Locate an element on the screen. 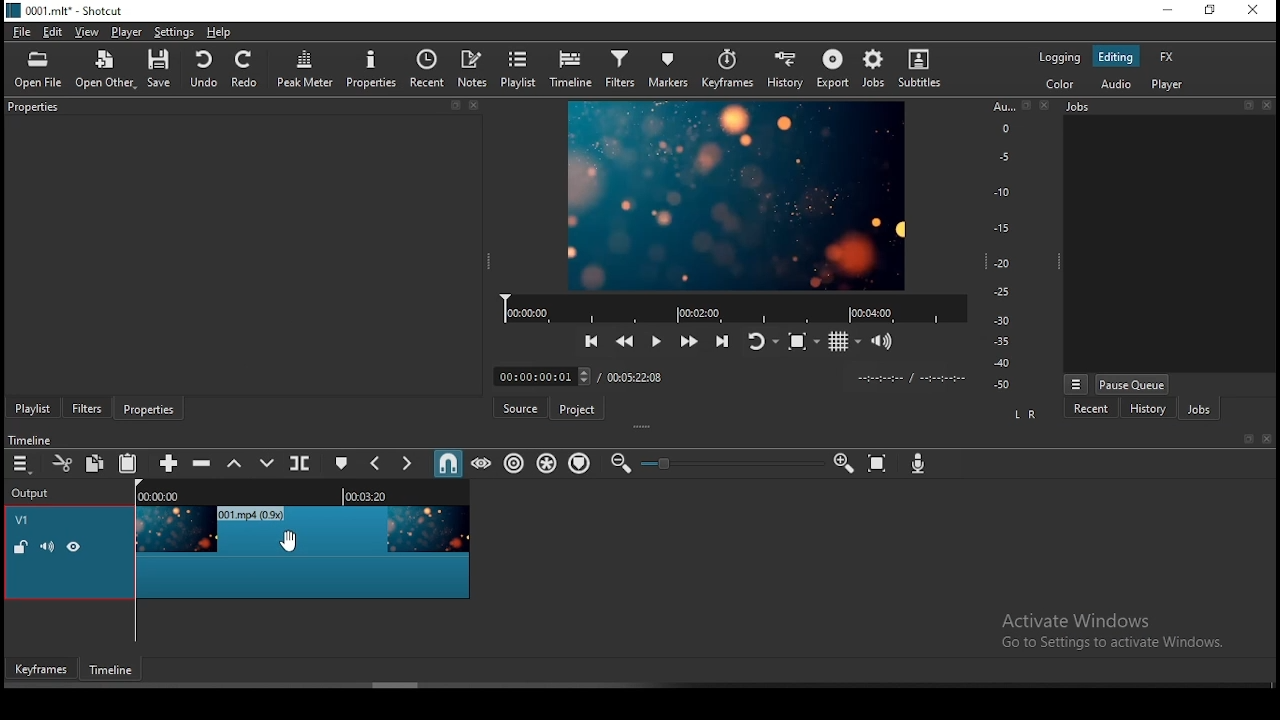 Image resolution: width=1280 pixels, height=720 pixels. close window is located at coordinates (1255, 8).